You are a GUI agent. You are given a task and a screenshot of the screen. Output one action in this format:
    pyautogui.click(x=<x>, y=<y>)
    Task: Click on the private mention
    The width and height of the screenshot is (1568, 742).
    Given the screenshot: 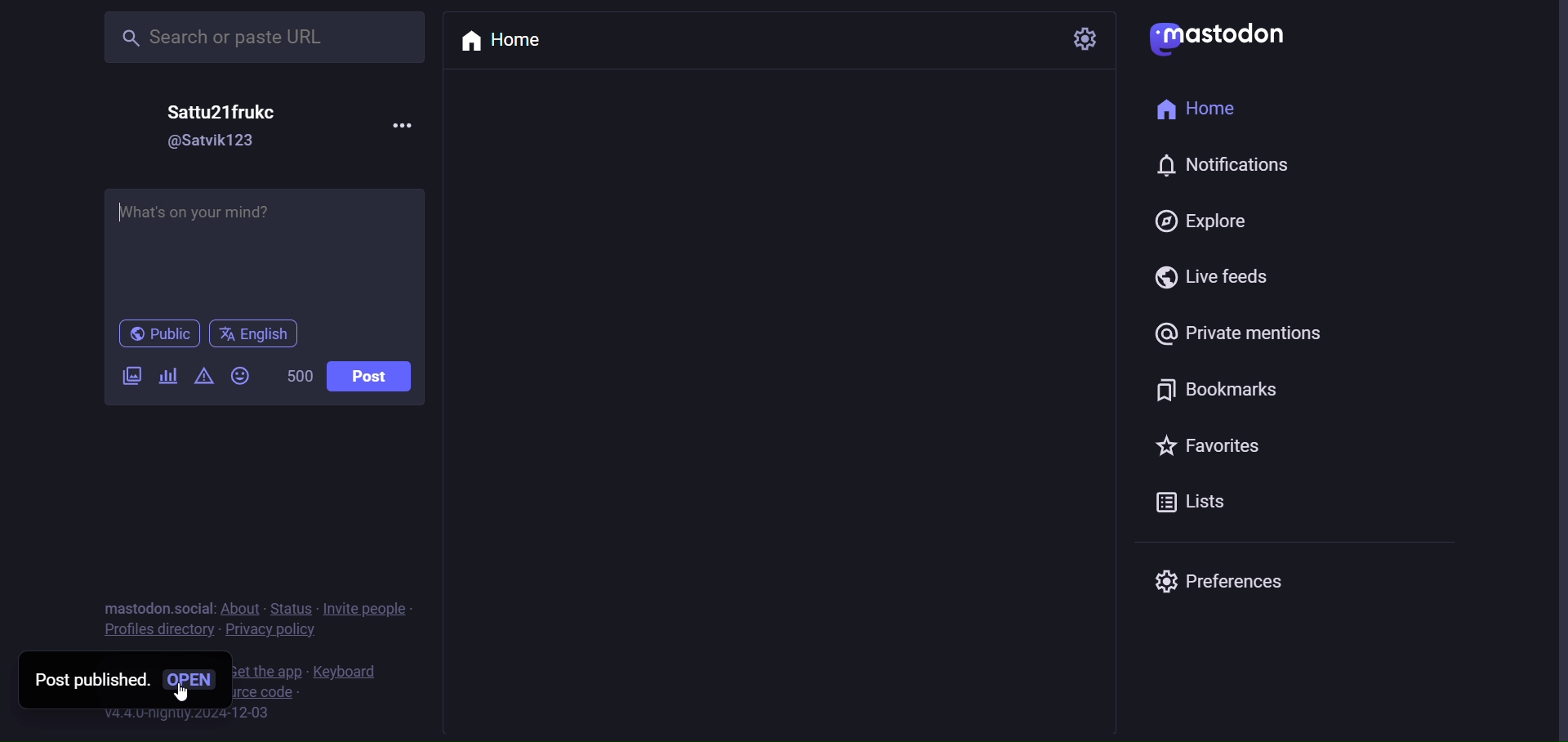 What is the action you would take?
    pyautogui.click(x=1234, y=332)
    